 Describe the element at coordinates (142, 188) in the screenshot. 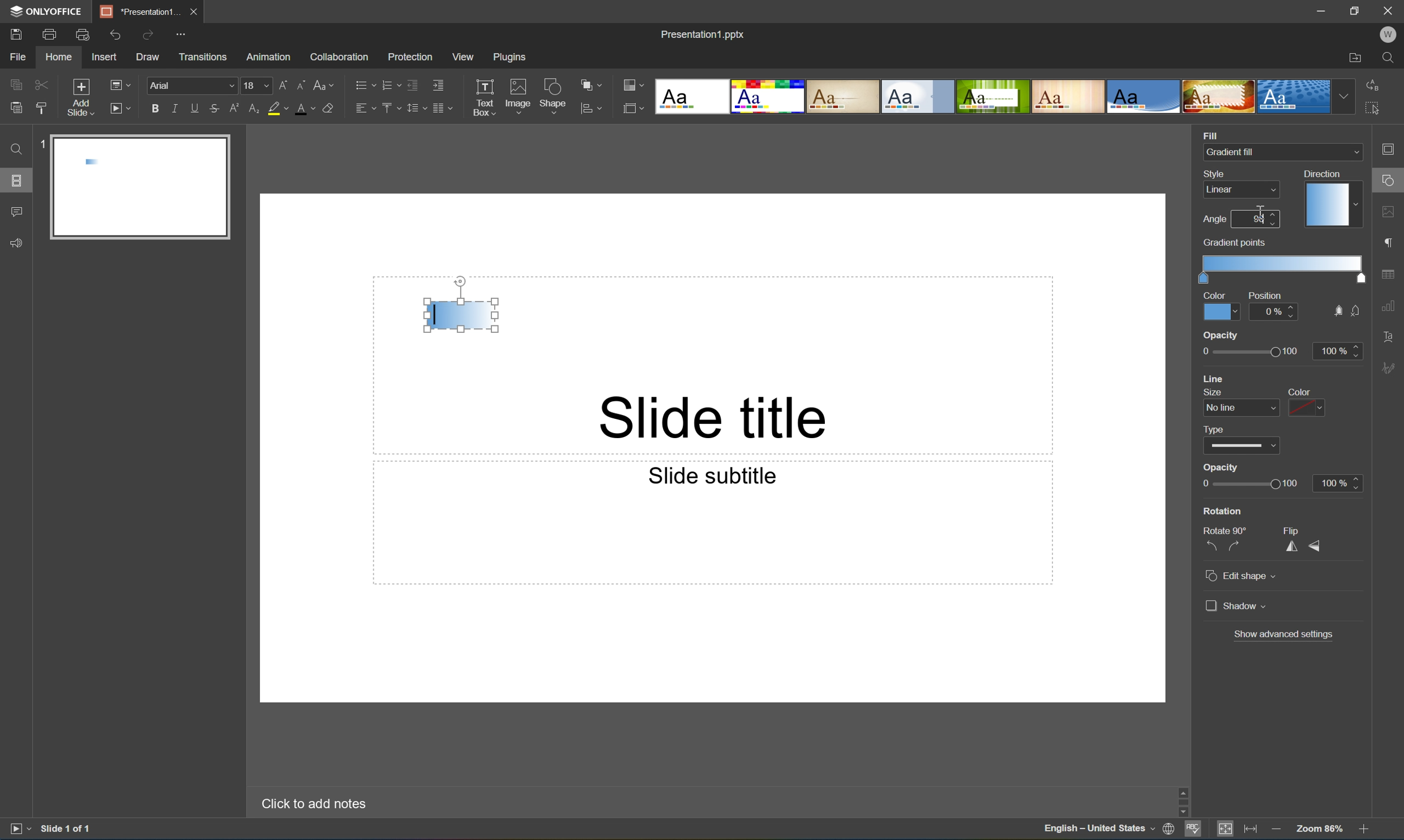

I see `Slide` at that location.